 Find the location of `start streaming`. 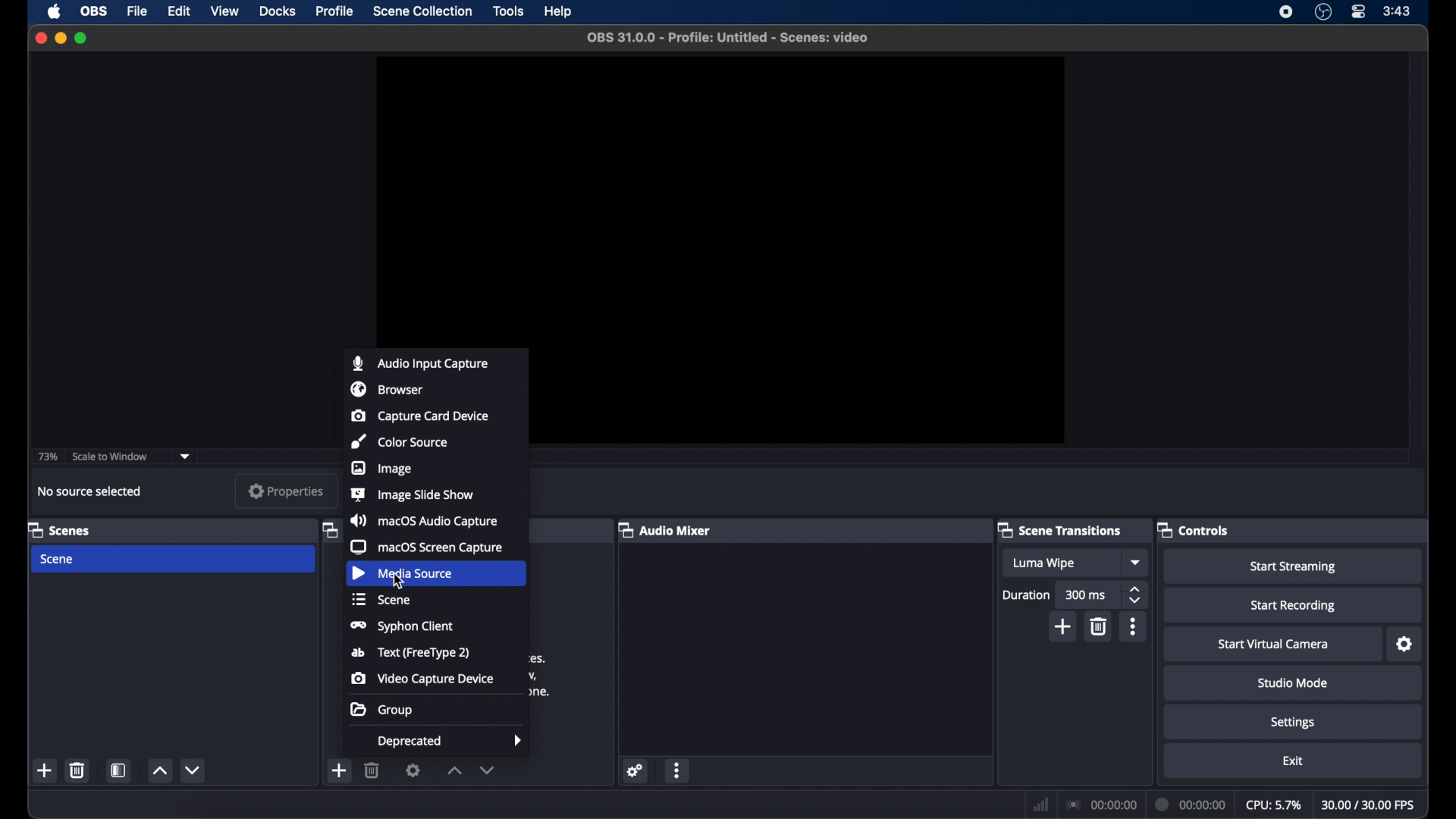

start streaming is located at coordinates (1294, 567).